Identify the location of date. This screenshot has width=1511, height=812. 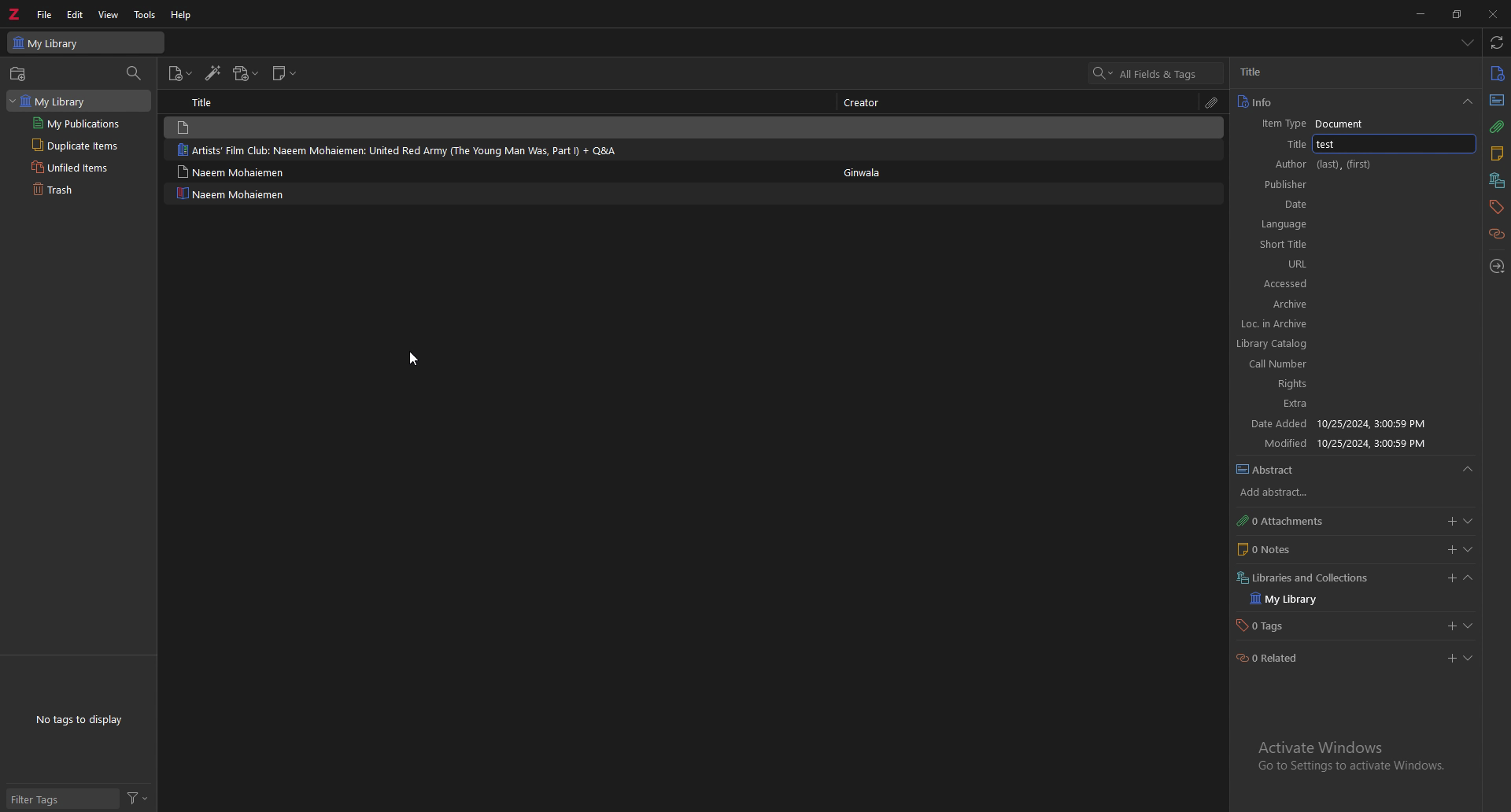
(1279, 344).